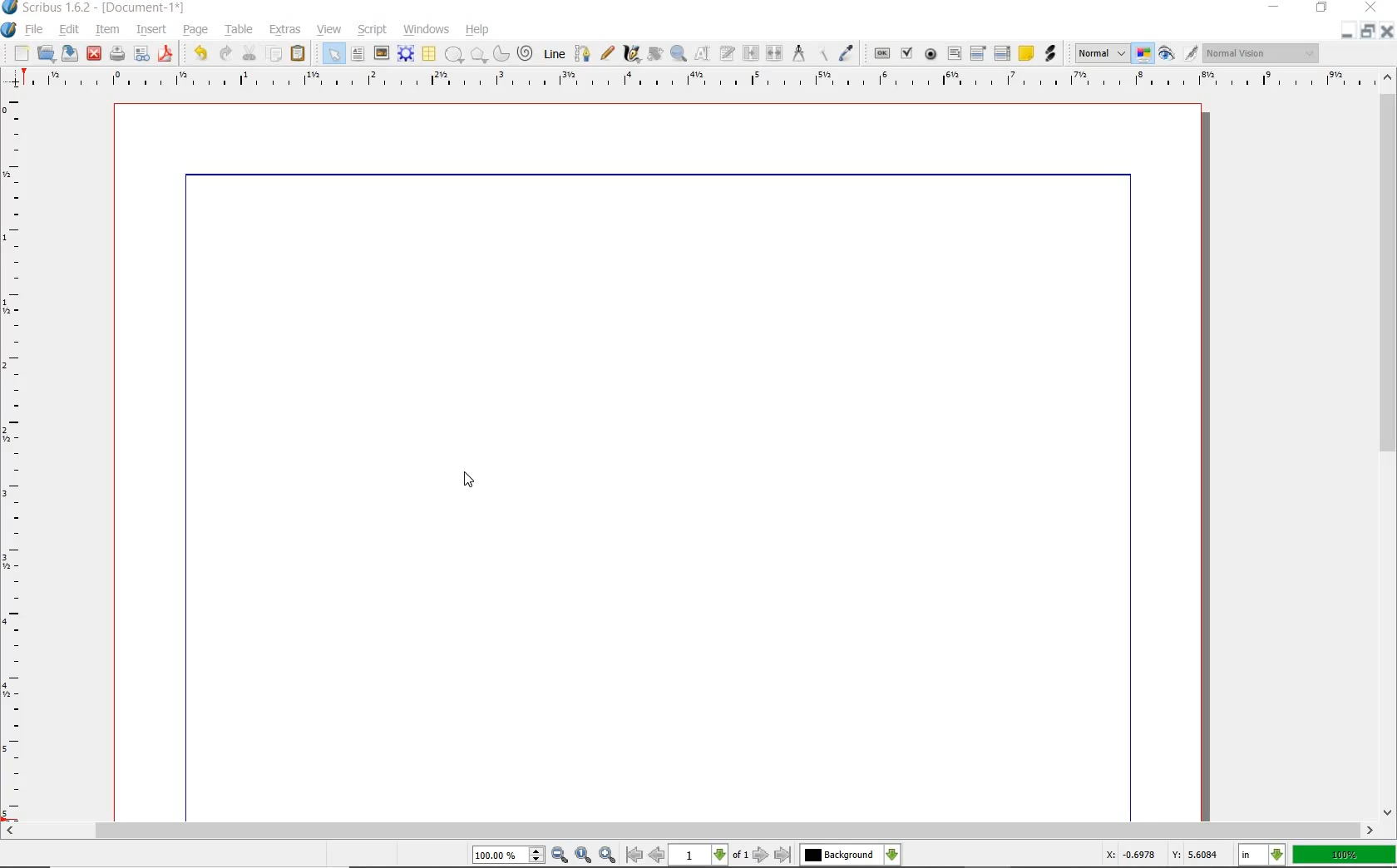 This screenshot has width=1397, height=868. Describe the element at coordinates (702, 52) in the screenshot. I see `EDIT CONTENTS OF FRAME` at that location.